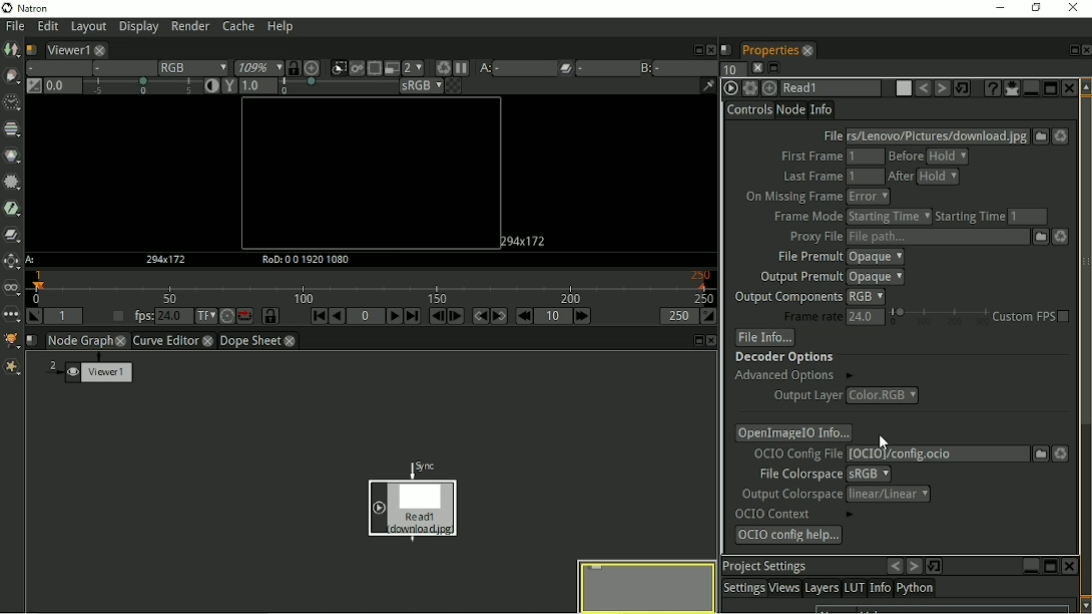  What do you see at coordinates (334, 68) in the screenshot?
I see `Clips the portion of the image` at bounding box center [334, 68].